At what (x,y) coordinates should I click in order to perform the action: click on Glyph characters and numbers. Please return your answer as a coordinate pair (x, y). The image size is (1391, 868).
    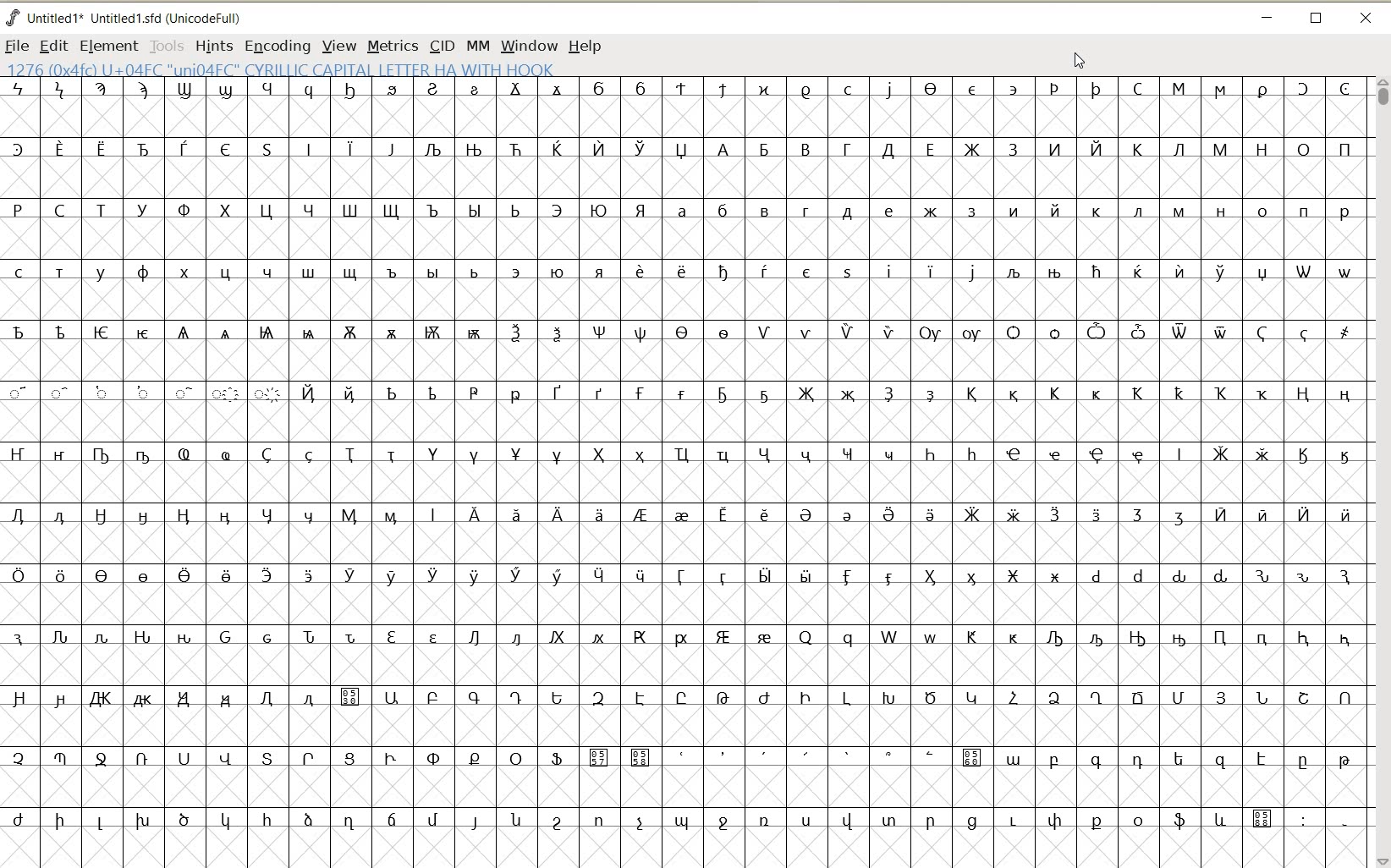
    Looking at the image, I should click on (683, 461).